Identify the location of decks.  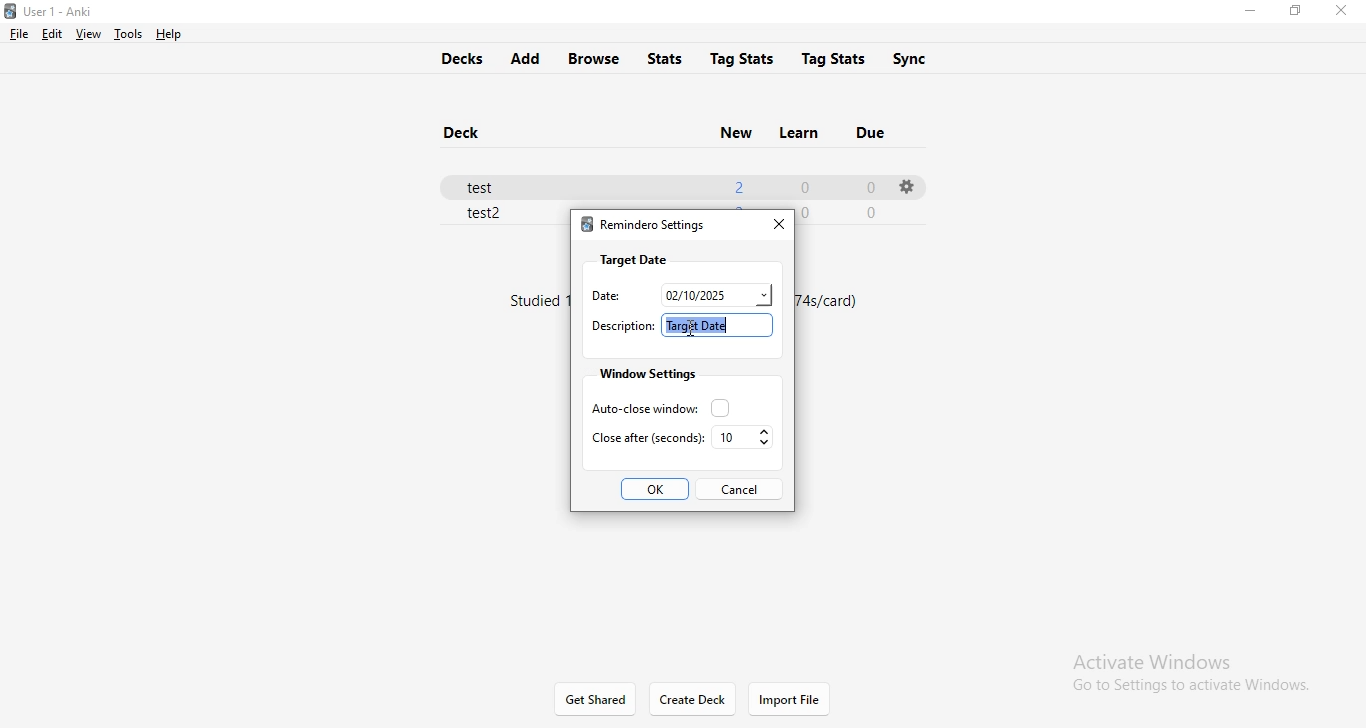
(457, 56).